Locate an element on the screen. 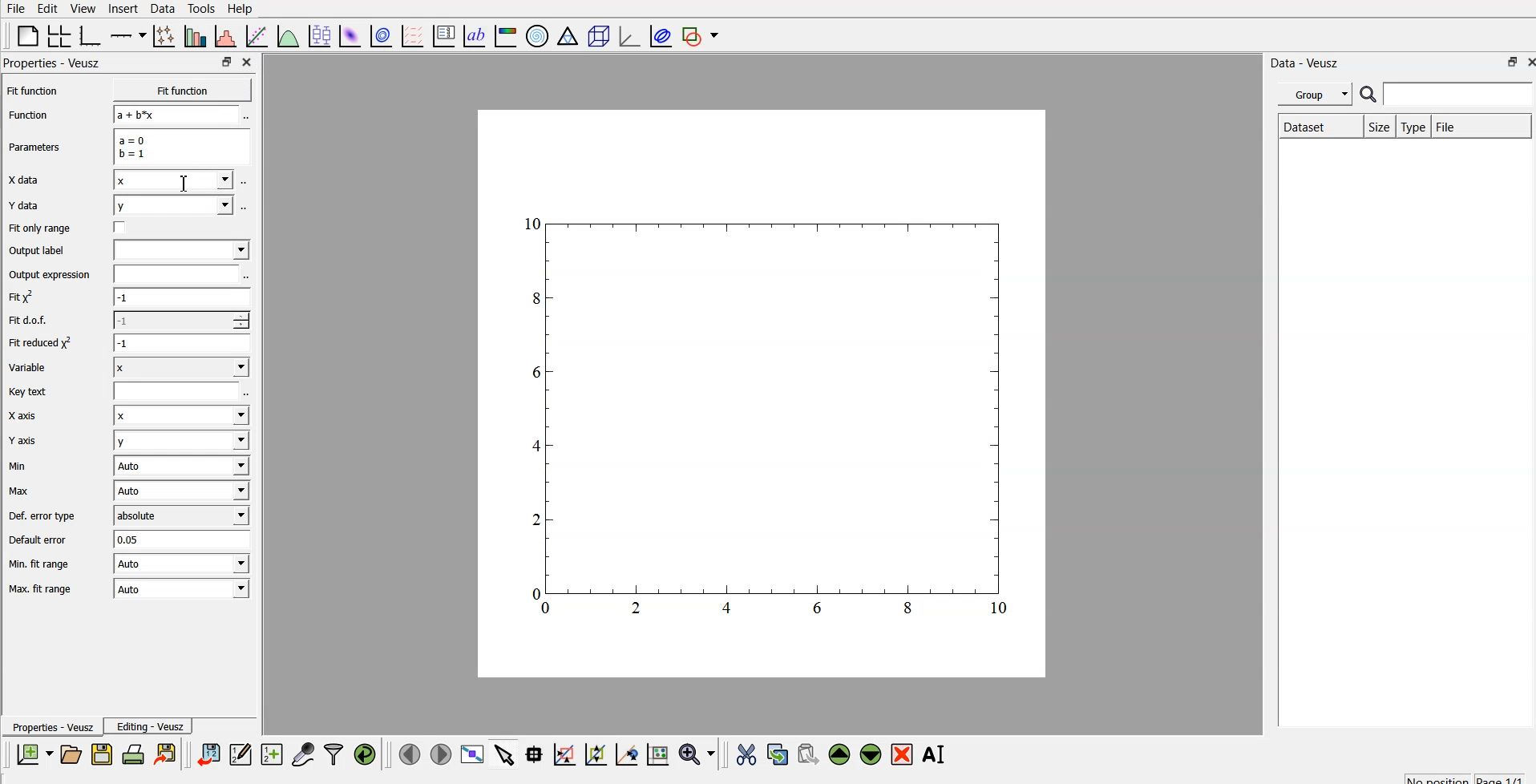  group is located at coordinates (1317, 95).